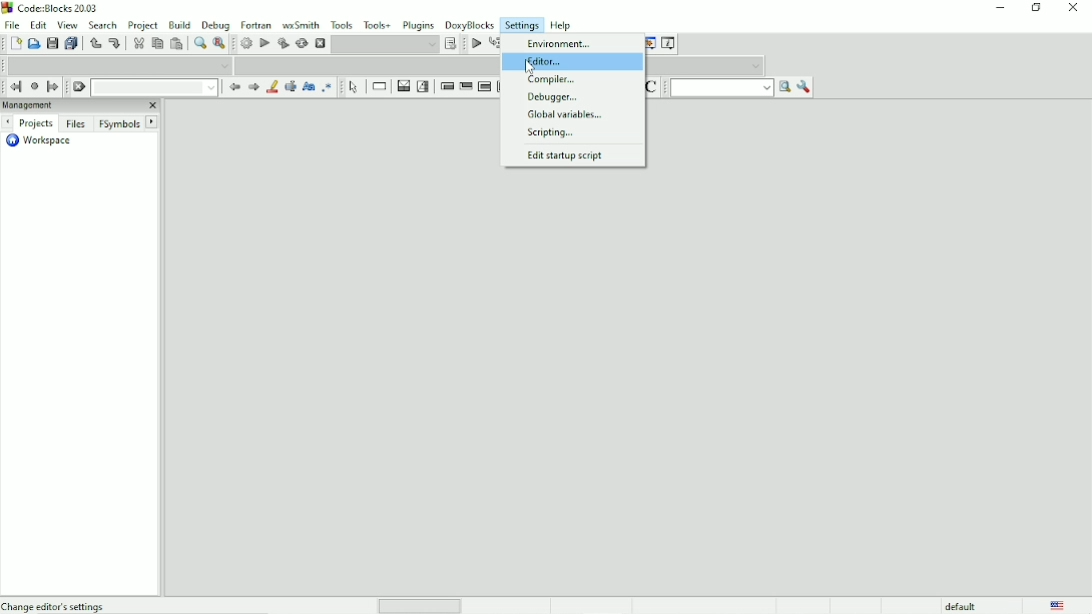 Image resolution: width=1092 pixels, height=614 pixels. Describe the element at coordinates (433, 44) in the screenshot. I see `Drop down` at that location.